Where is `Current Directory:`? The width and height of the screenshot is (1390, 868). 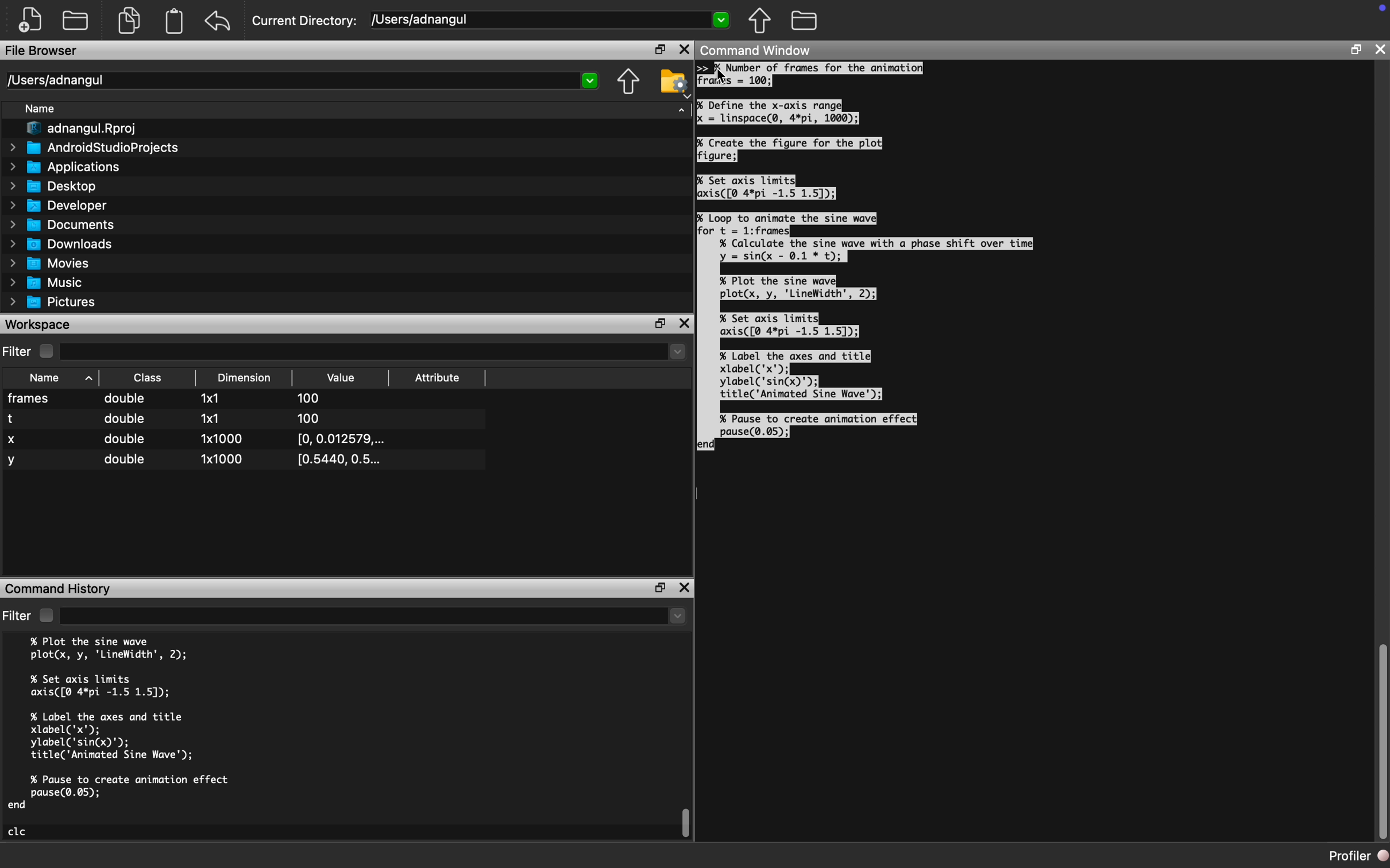 Current Directory: is located at coordinates (306, 21).